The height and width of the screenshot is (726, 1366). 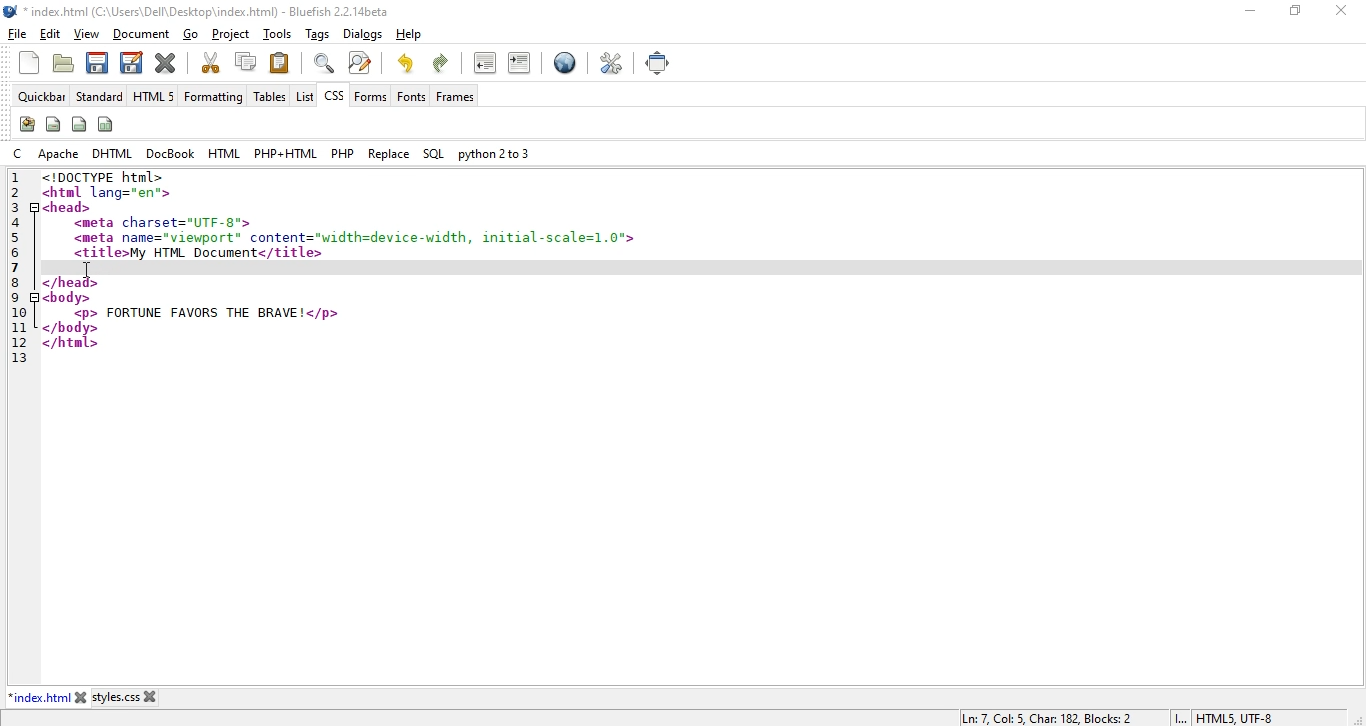 What do you see at coordinates (96, 61) in the screenshot?
I see `save current file` at bounding box center [96, 61].